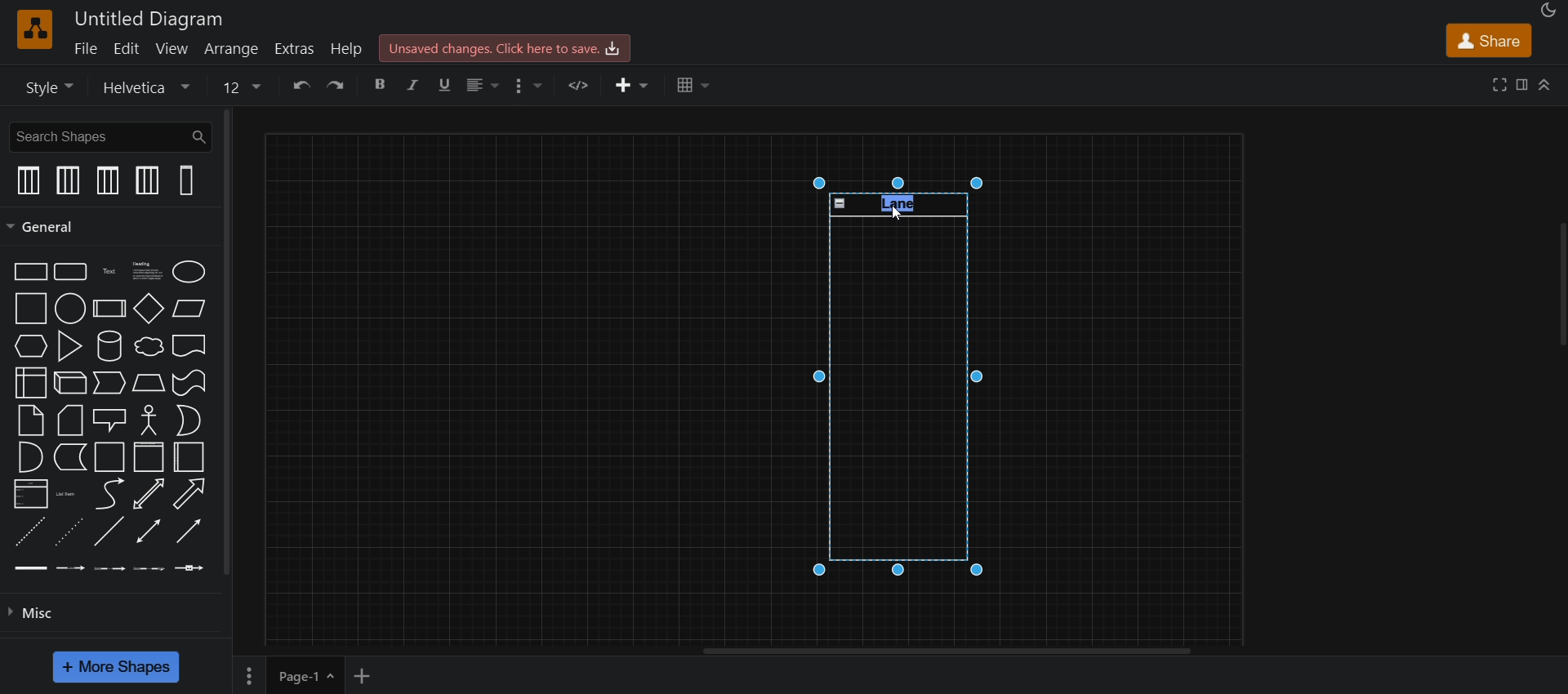 The image size is (1568, 694). I want to click on file, so click(88, 48).